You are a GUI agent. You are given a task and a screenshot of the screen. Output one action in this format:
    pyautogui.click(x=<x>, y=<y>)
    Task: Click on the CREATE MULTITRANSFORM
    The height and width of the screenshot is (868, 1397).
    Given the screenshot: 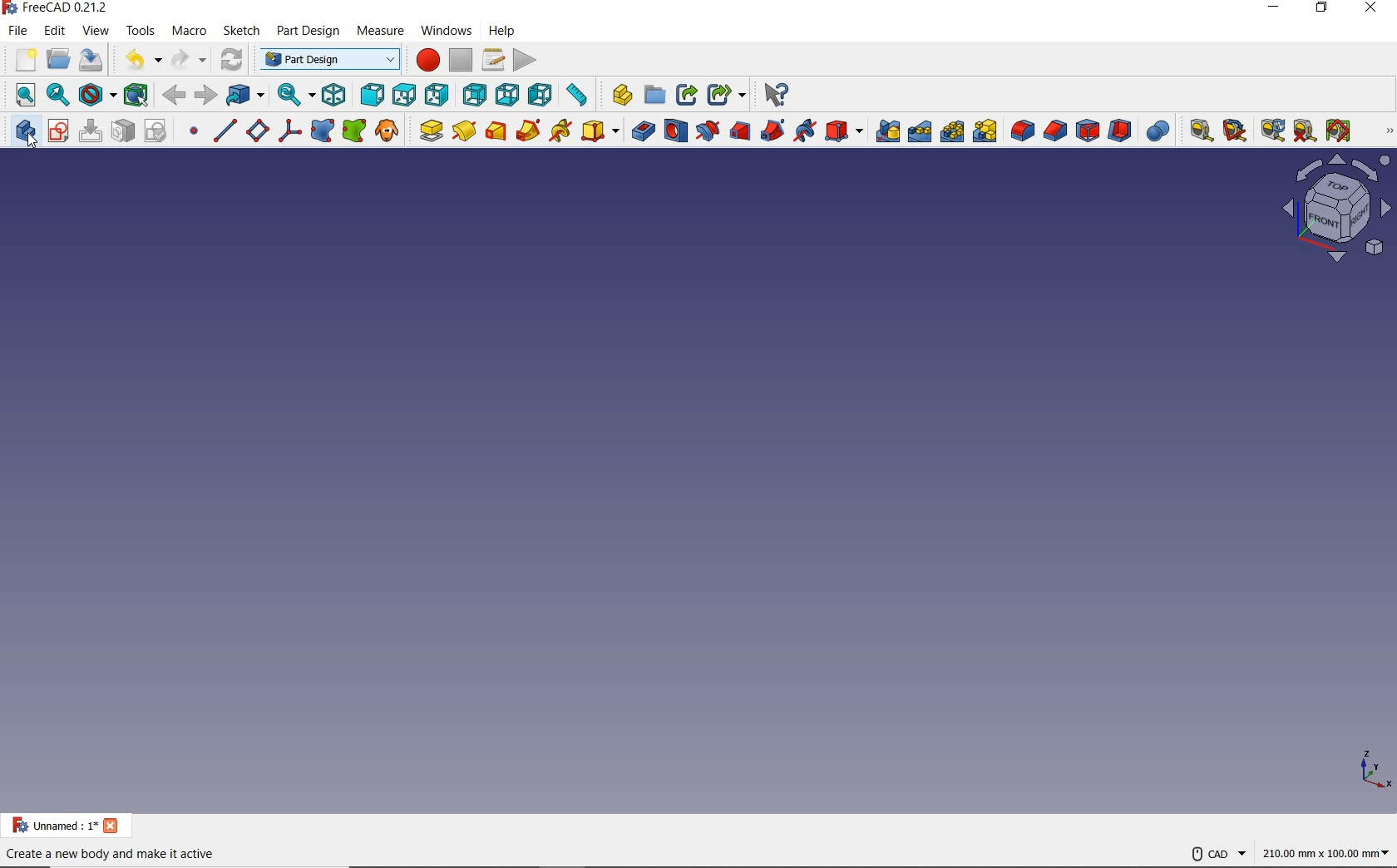 What is the action you would take?
    pyautogui.click(x=989, y=131)
    